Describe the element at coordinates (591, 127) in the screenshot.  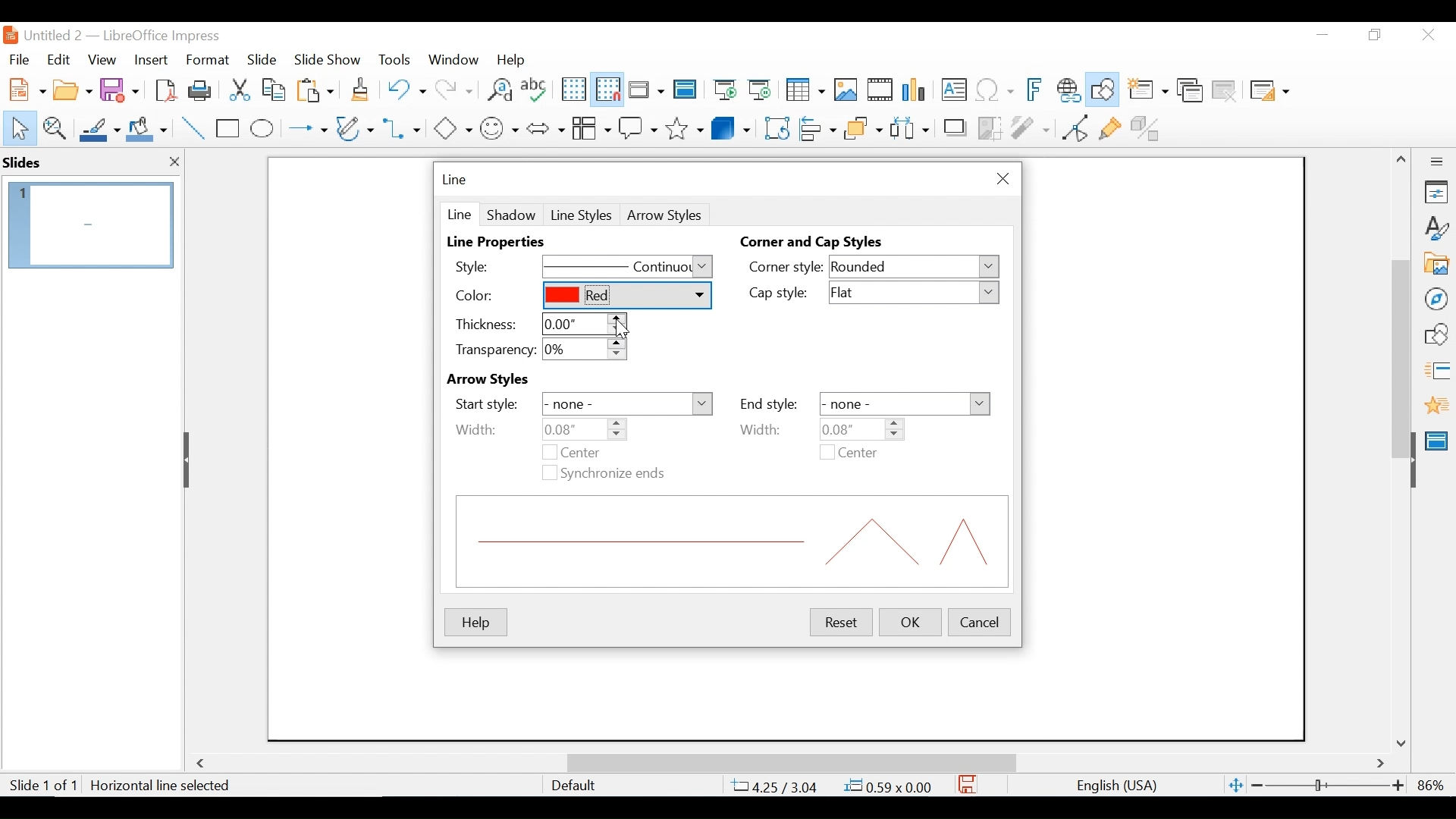
I see `` at that location.